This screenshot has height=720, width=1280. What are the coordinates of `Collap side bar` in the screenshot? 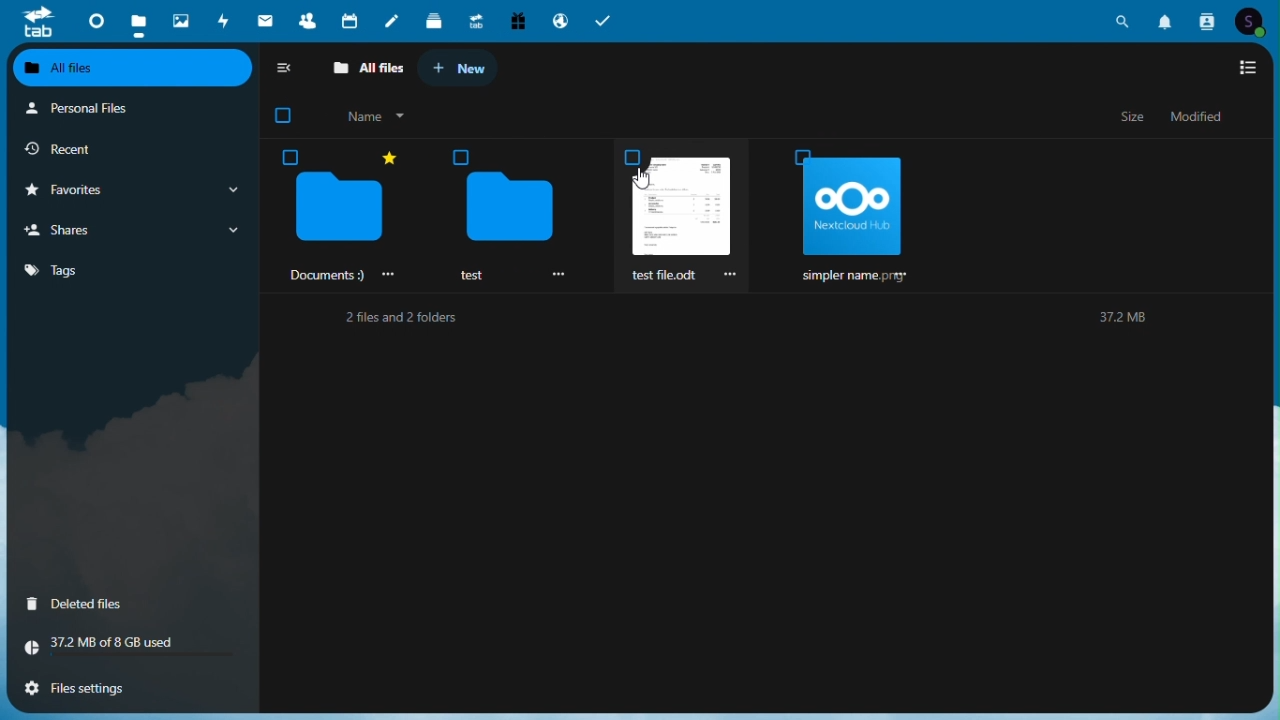 It's located at (286, 71).